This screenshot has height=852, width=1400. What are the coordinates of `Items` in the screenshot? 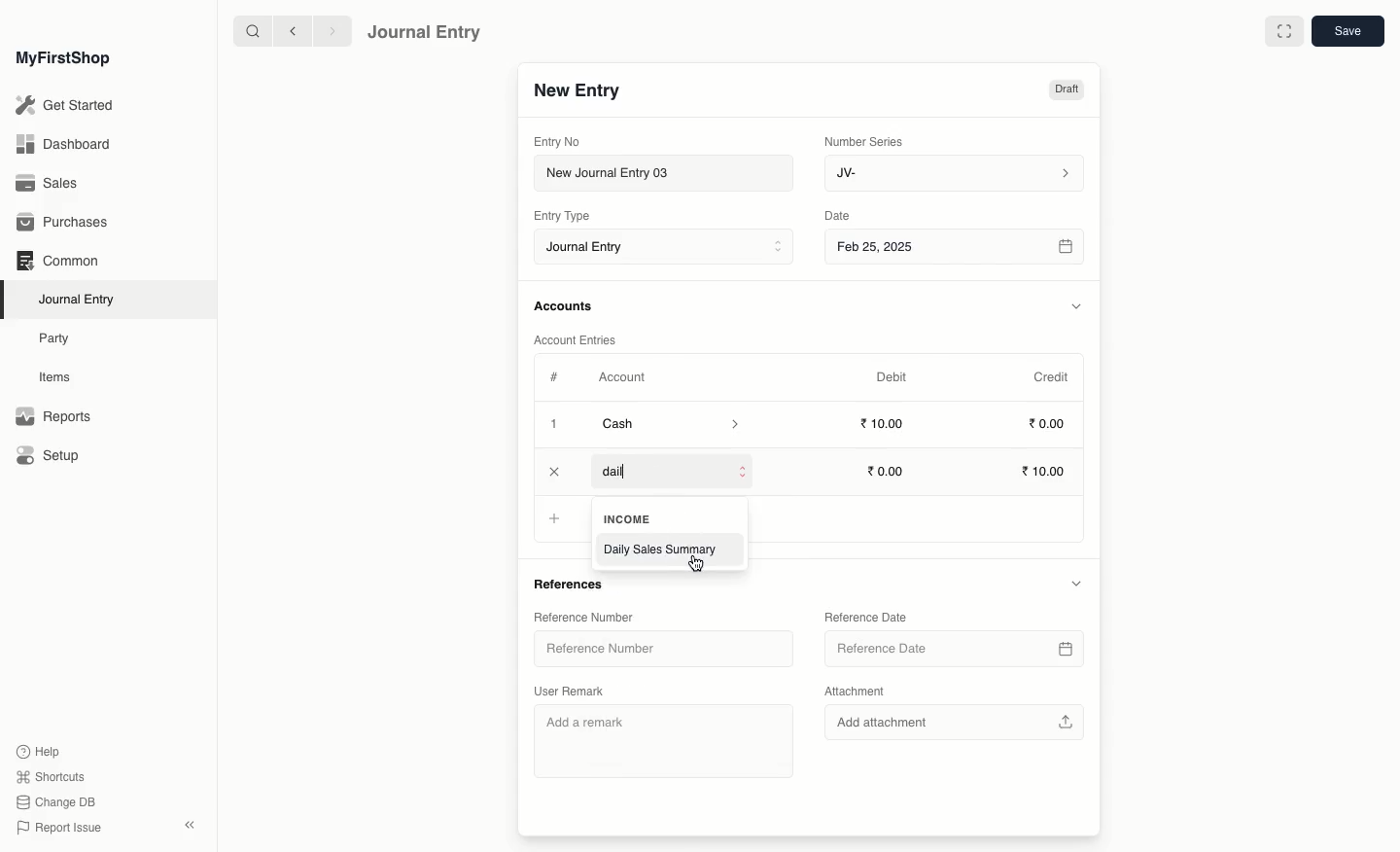 It's located at (60, 377).